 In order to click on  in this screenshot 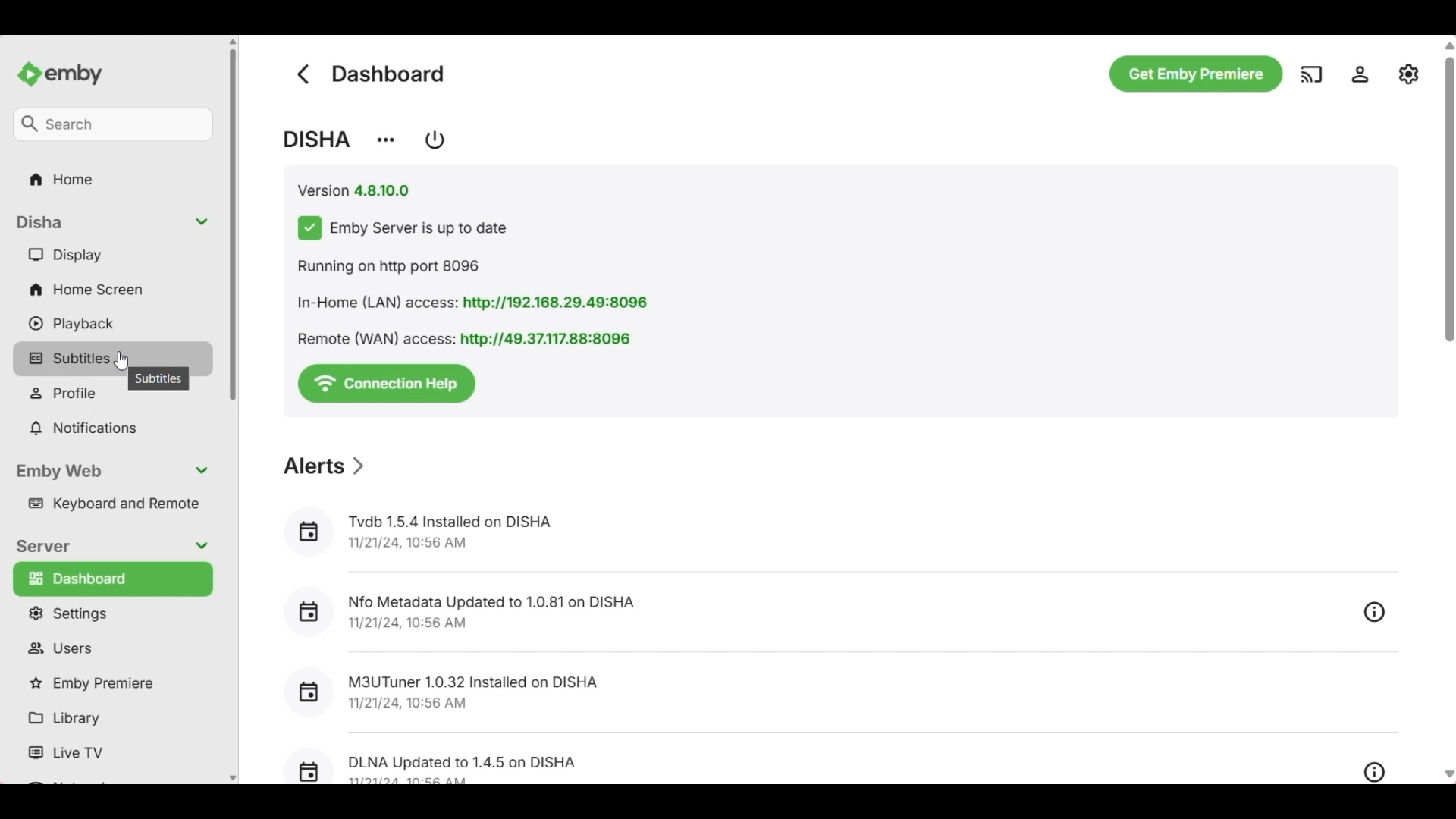, I will do `click(1196, 76)`.